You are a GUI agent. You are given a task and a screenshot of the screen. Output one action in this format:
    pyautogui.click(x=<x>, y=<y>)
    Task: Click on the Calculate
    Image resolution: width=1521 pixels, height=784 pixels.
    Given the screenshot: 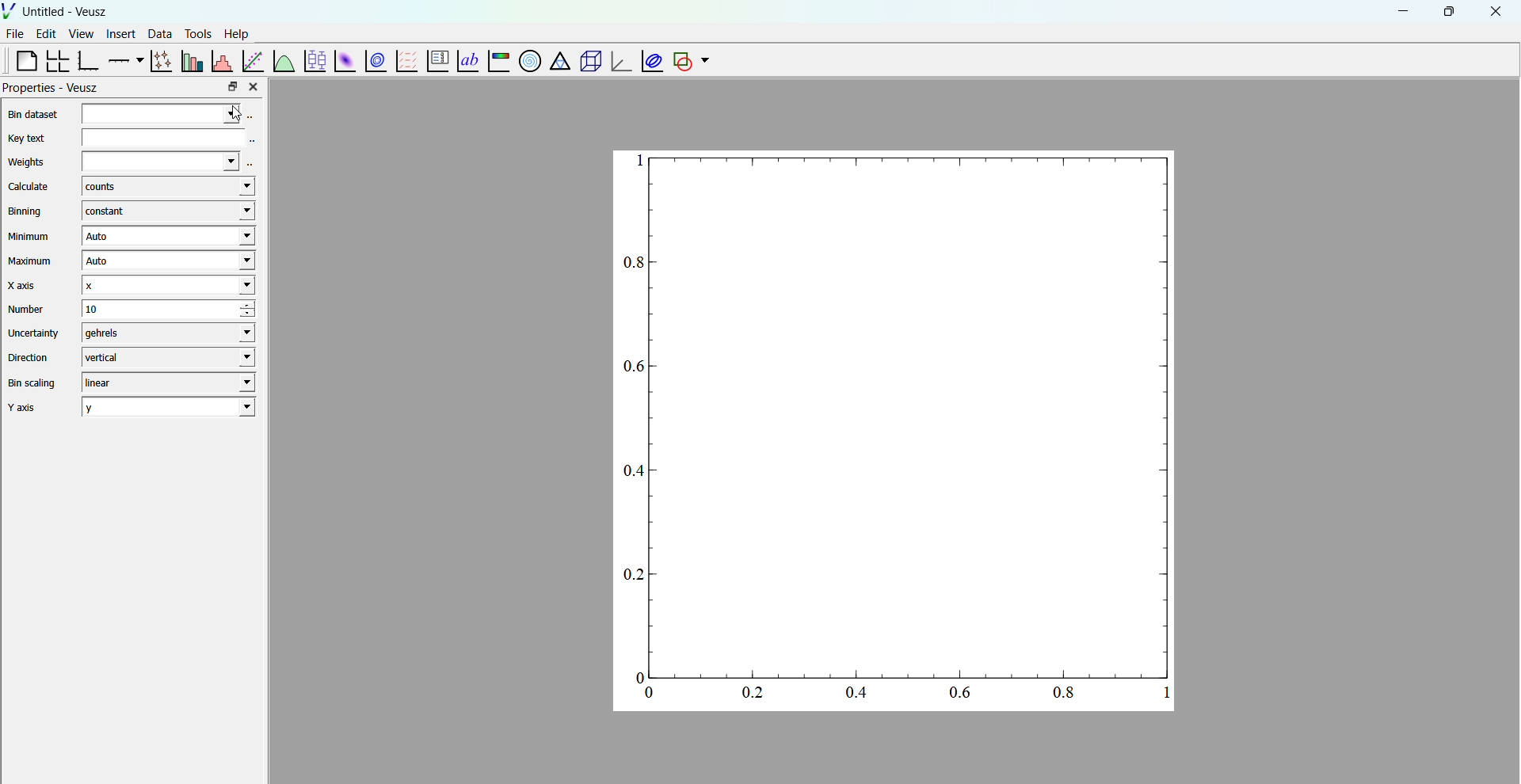 What is the action you would take?
    pyautogui.click(x=29, y=188)
    